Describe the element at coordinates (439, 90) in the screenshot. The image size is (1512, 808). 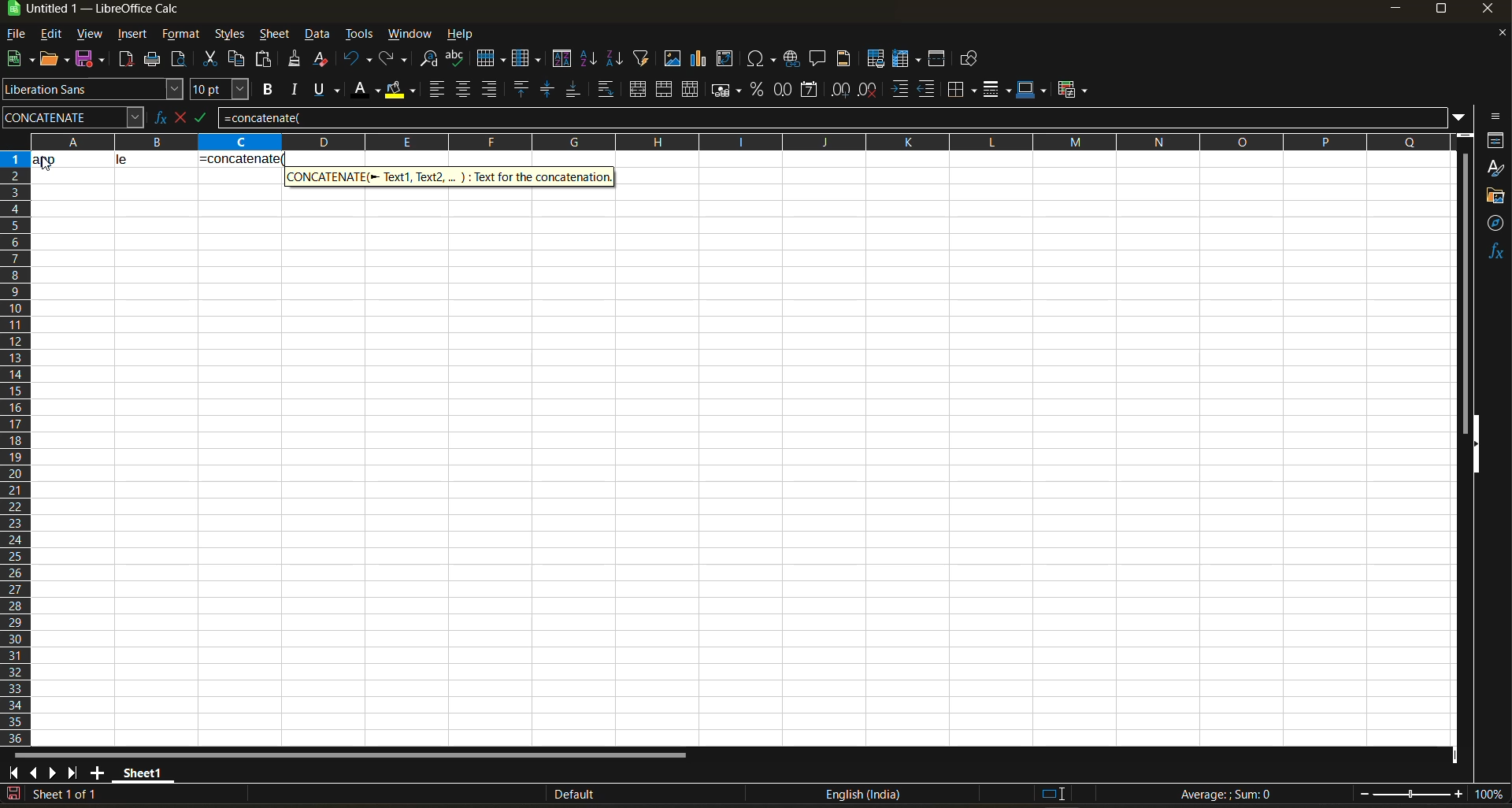
I see `align left` at that location.